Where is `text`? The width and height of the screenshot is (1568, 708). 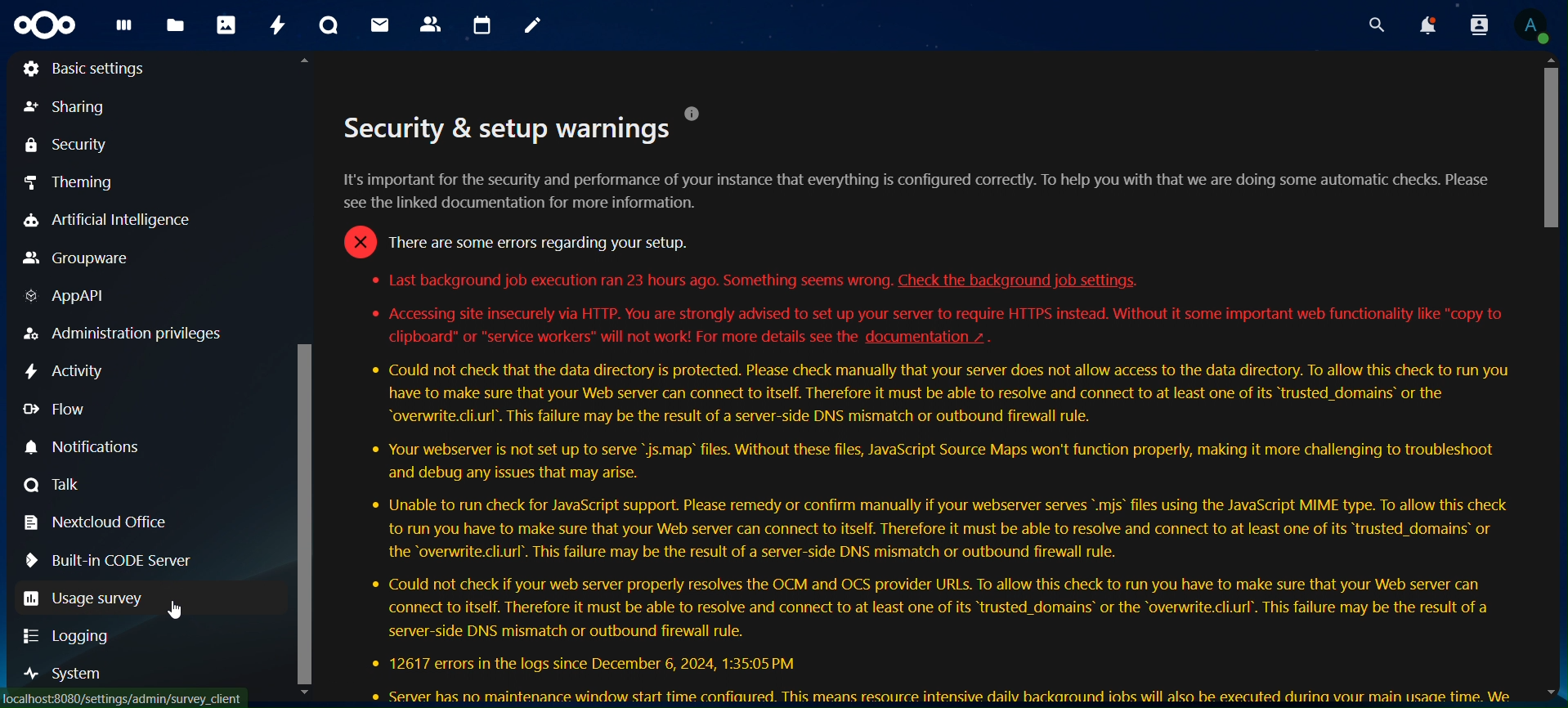
text is located at coordinates (929, 404).